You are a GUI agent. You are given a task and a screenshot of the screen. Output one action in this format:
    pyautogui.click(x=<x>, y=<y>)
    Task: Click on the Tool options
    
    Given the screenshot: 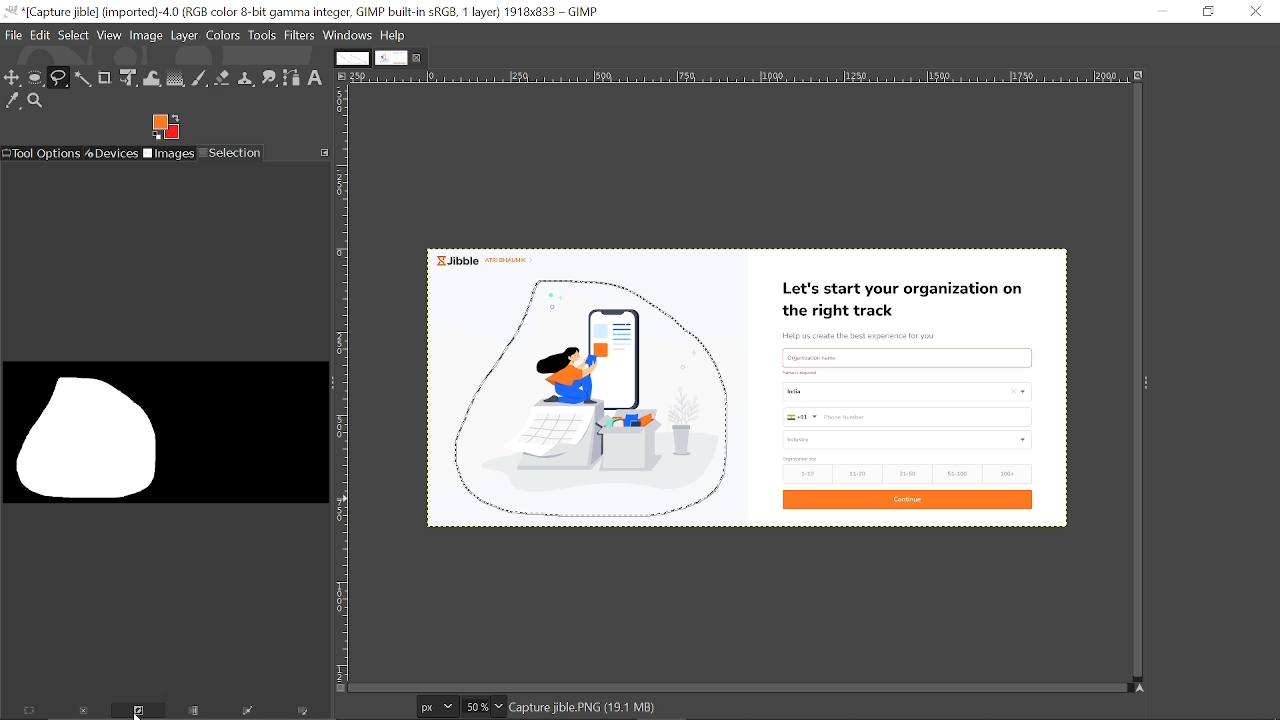 What is the action you would take?
    pyautogui.click(x=42, y=153)
    